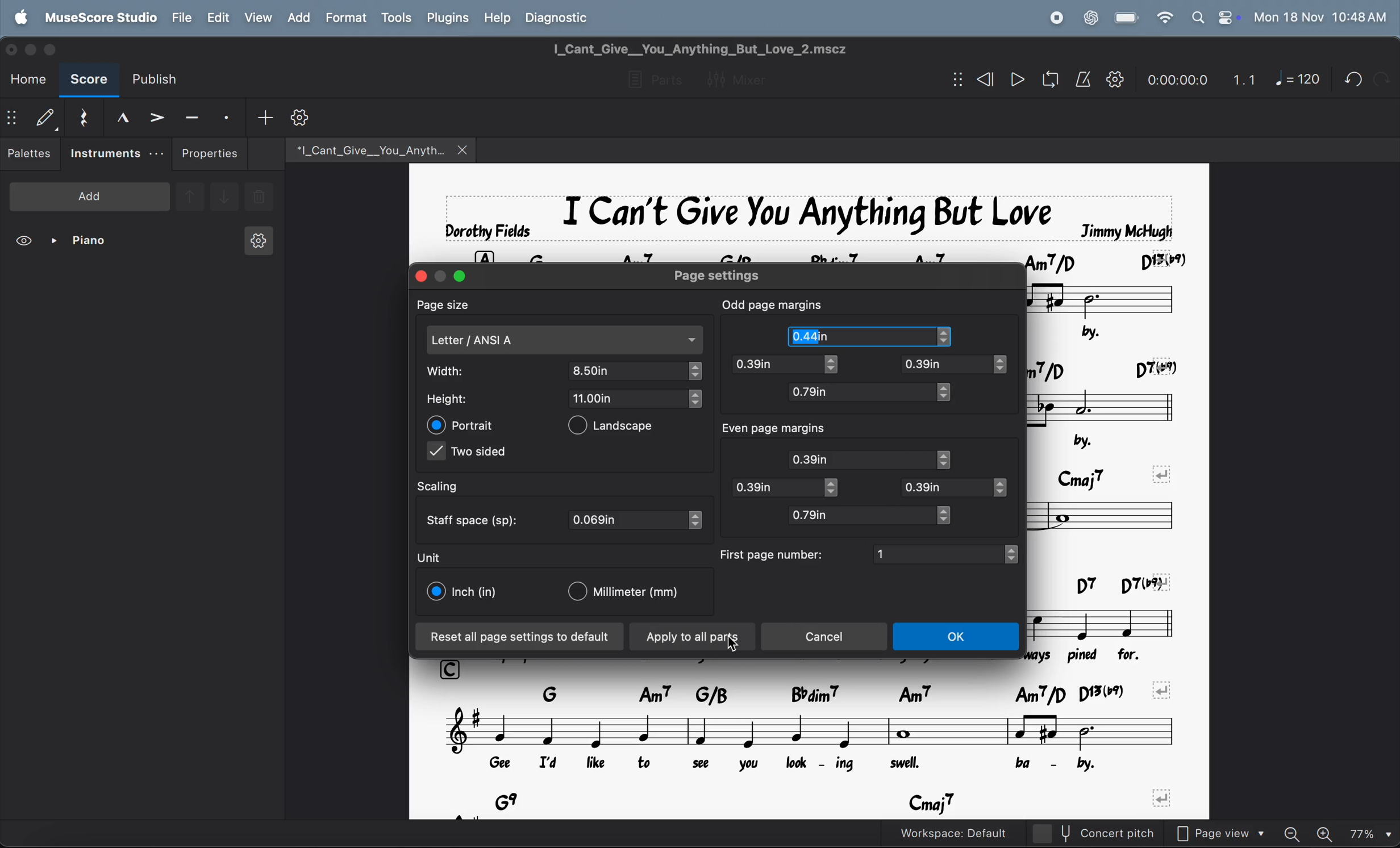 This screenshot has height=848, width=1400. What do you see at coordinates (1111, 620) in the screenshot?
I see `notes` at bounding box center [1111, 620].